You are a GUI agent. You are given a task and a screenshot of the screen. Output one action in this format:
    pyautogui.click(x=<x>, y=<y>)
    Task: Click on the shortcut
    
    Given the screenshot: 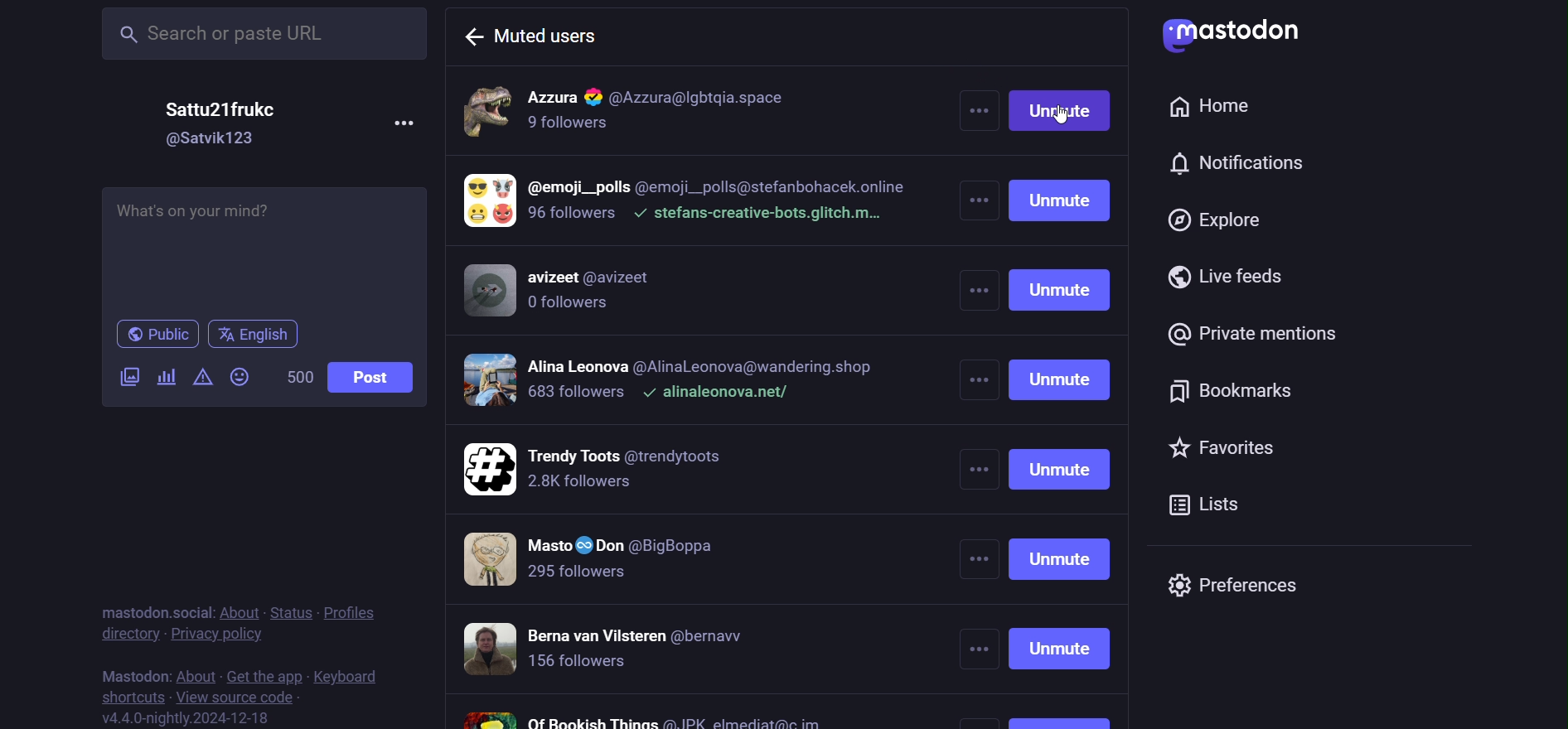 What is the action you would take?
    pyautogui.click(x=131, y=697)
    